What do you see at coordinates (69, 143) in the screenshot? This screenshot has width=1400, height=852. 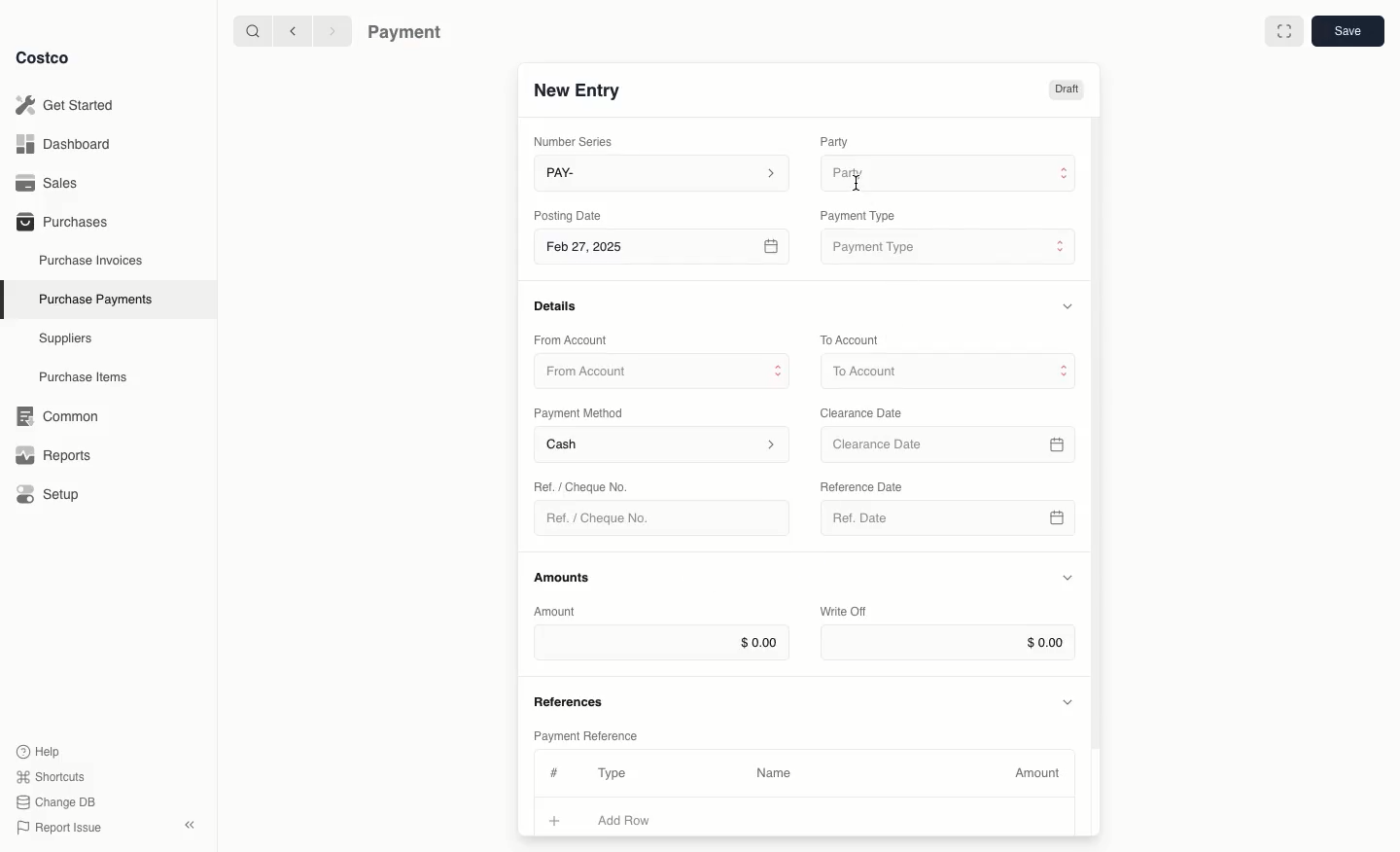 I see `Dashboard` at bounding box center [69, 143].